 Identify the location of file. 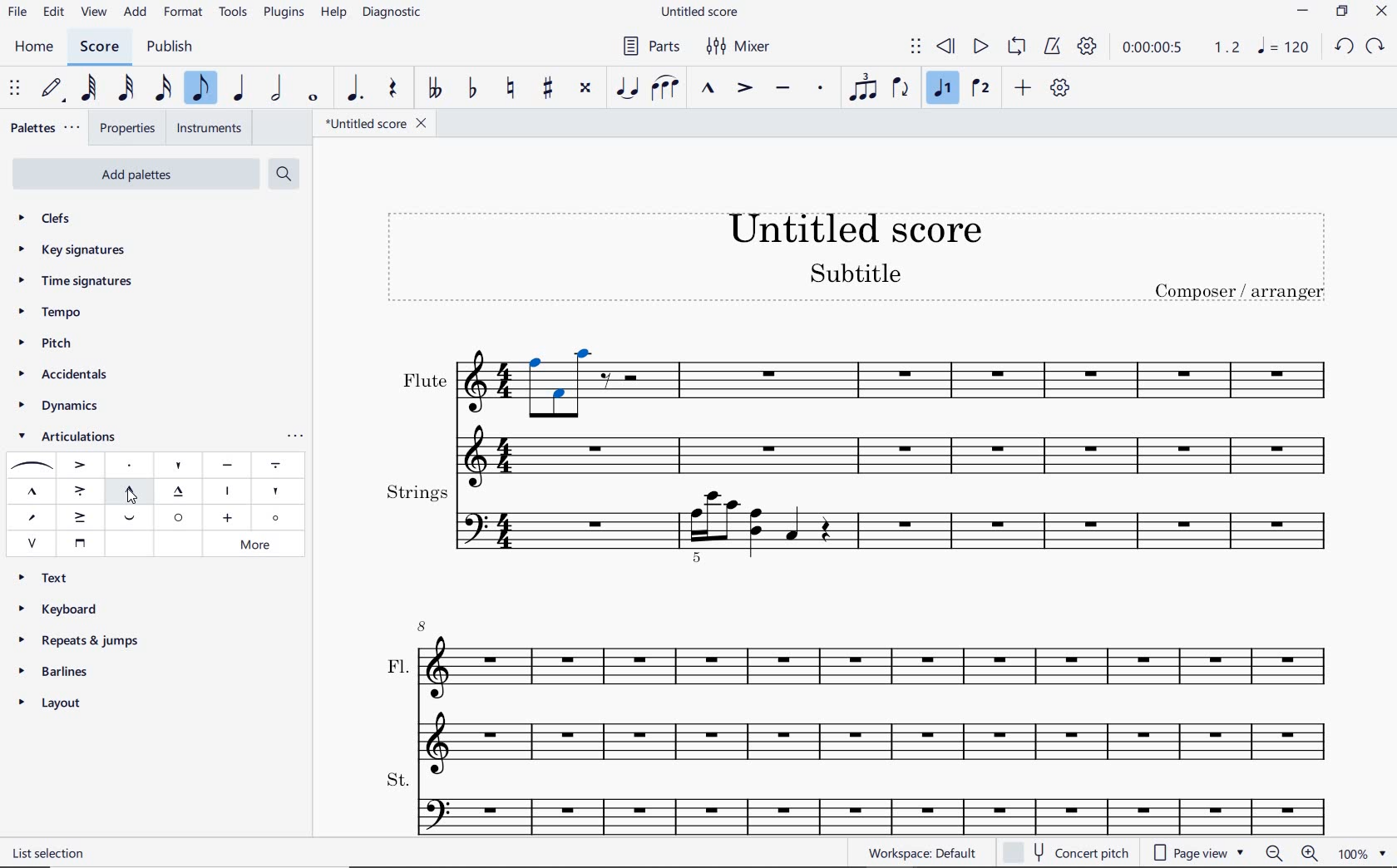
(16, 13).